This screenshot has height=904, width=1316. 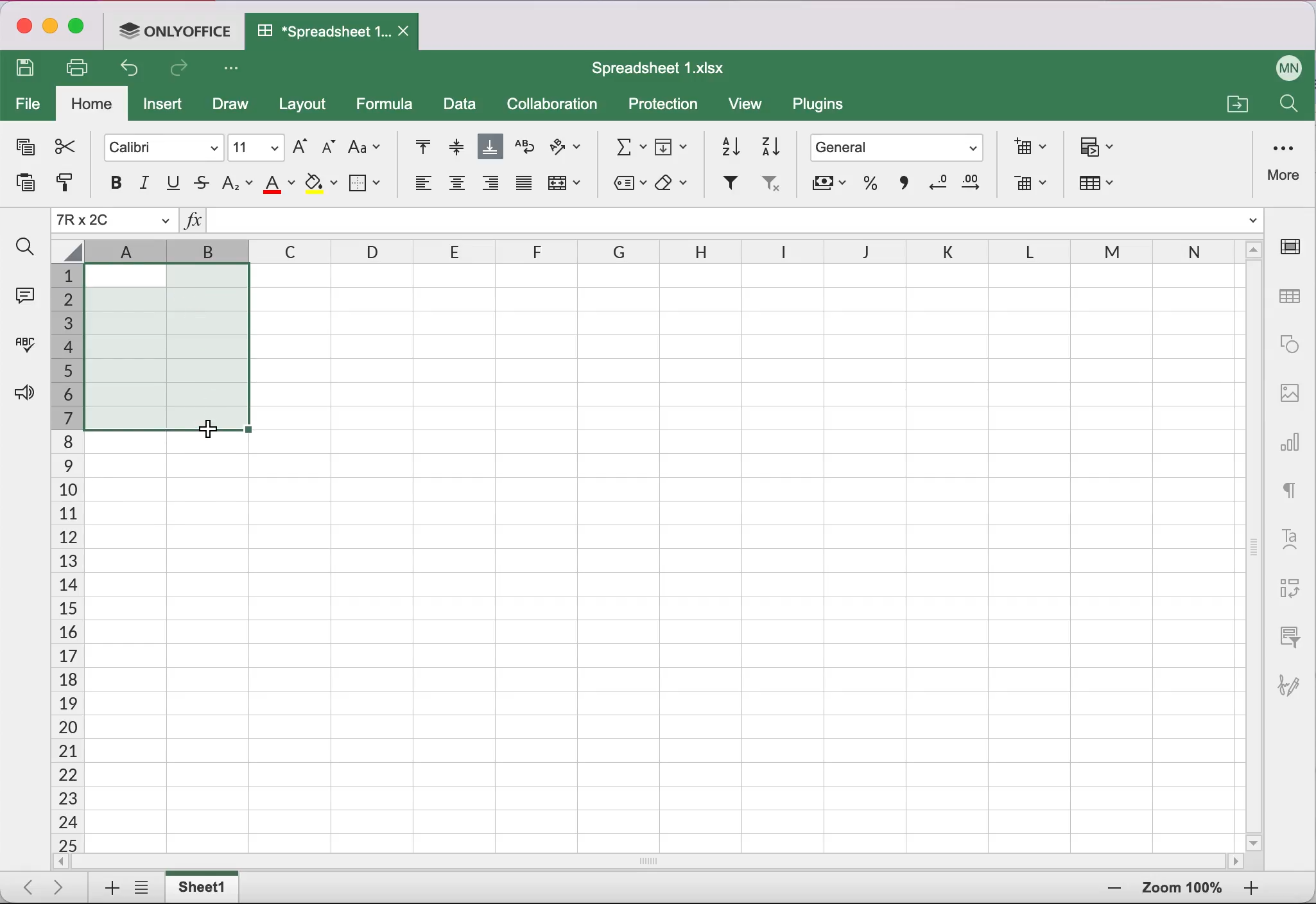 What do you see at coordinates (50, 28) in the screenshot?
I see `minimize` at bounding box center [50, 28].